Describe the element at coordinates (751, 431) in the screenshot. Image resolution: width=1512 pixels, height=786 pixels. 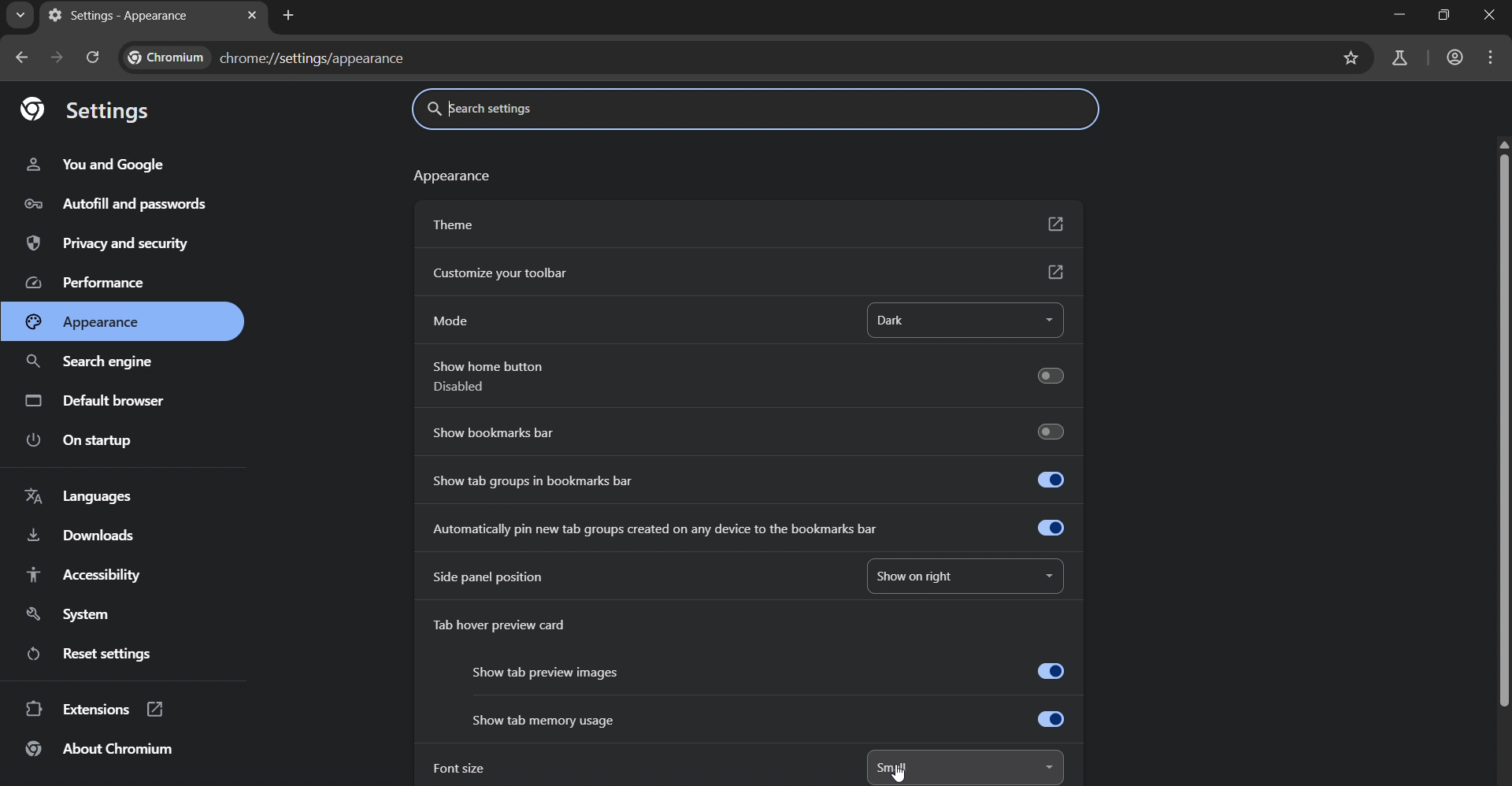
I see `show bookmarks bar` at that location.